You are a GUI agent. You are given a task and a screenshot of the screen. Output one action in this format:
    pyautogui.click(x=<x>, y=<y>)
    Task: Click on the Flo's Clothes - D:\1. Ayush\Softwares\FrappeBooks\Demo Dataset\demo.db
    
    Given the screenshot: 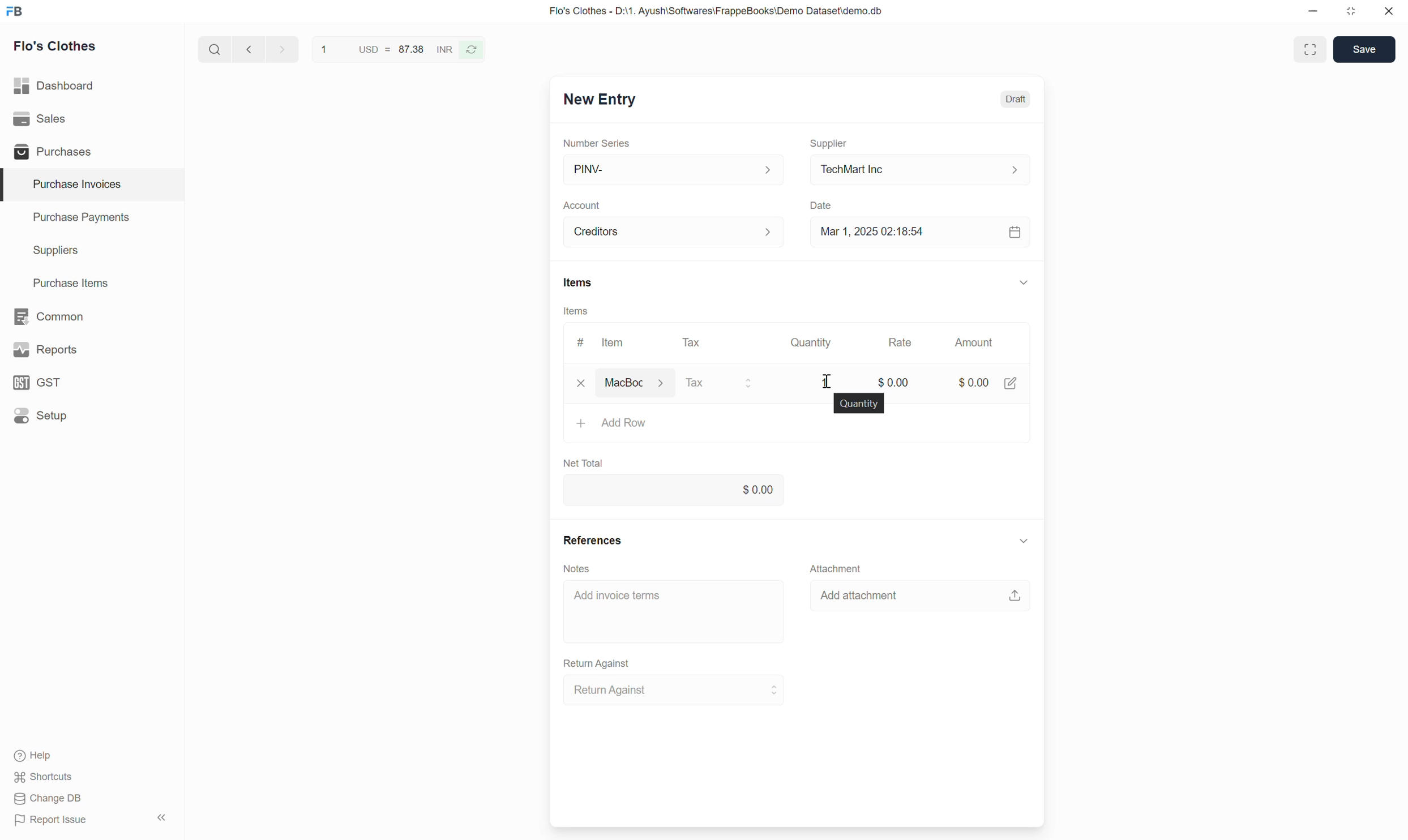 What is the action you would take?
    pyautogui.click(x=716, y=10)
    